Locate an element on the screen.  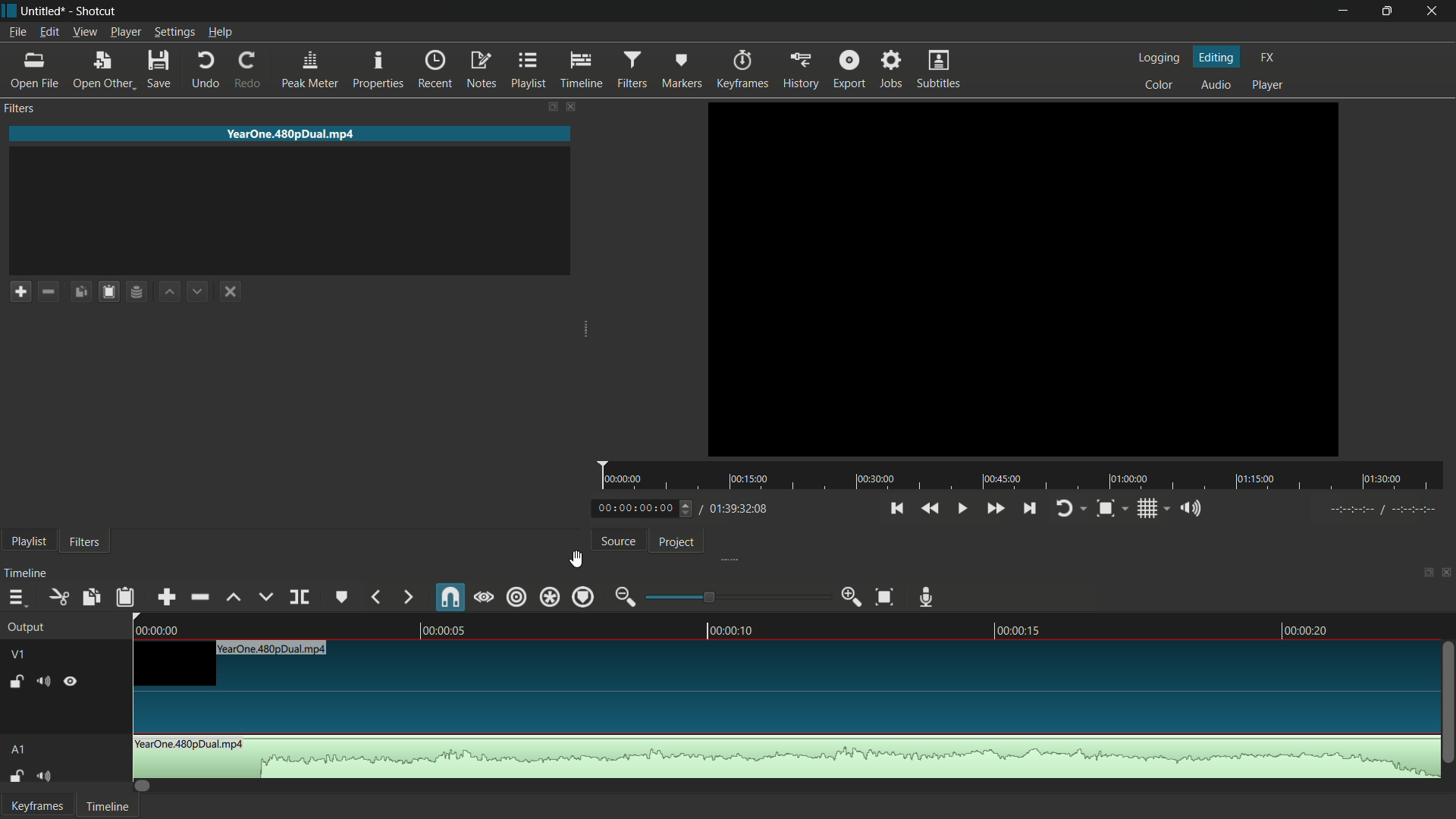
audio is located at coordinates (1216, 84).